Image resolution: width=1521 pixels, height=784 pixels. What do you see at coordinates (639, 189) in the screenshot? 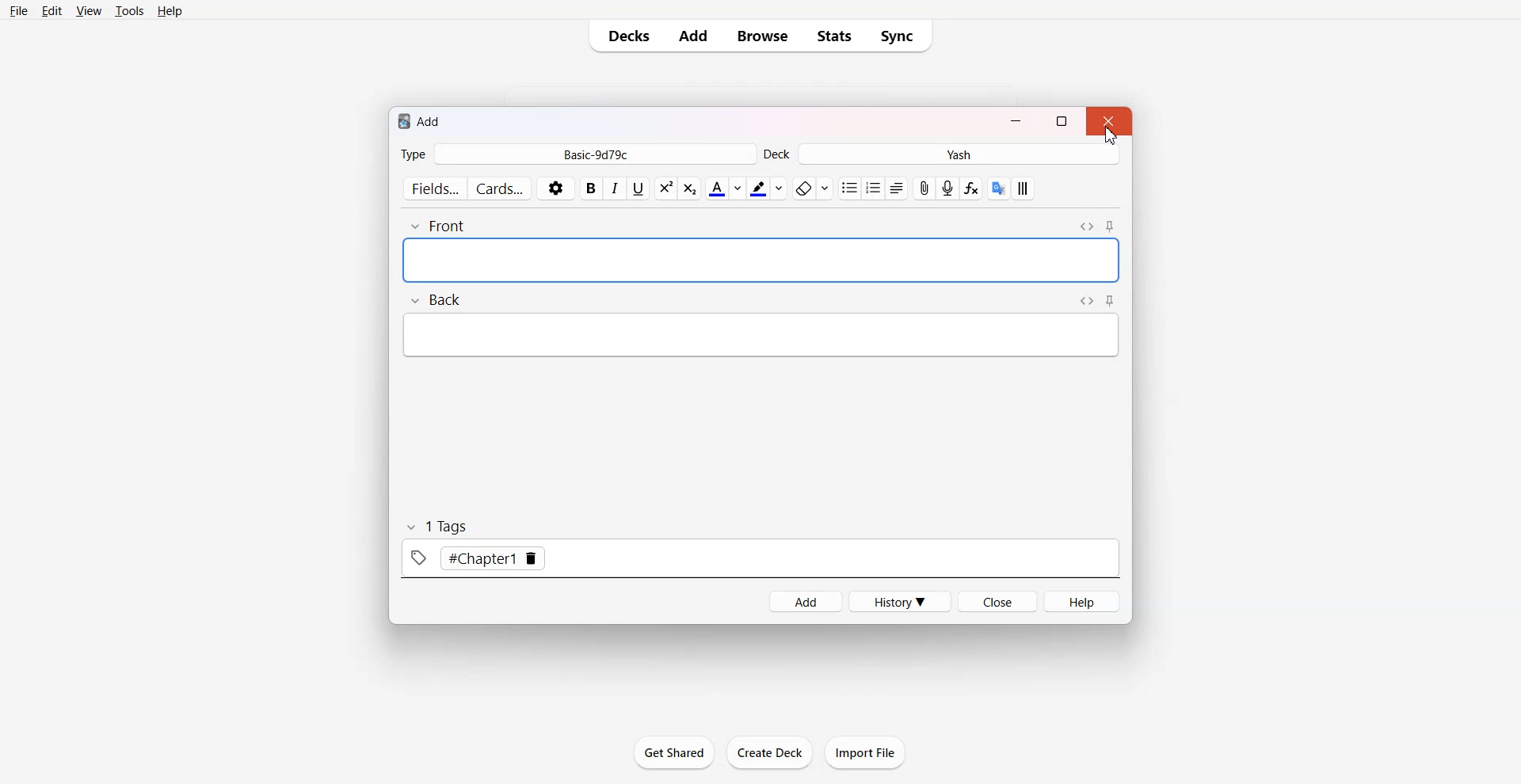
I see `Underline` at bounding box center [639, 189].